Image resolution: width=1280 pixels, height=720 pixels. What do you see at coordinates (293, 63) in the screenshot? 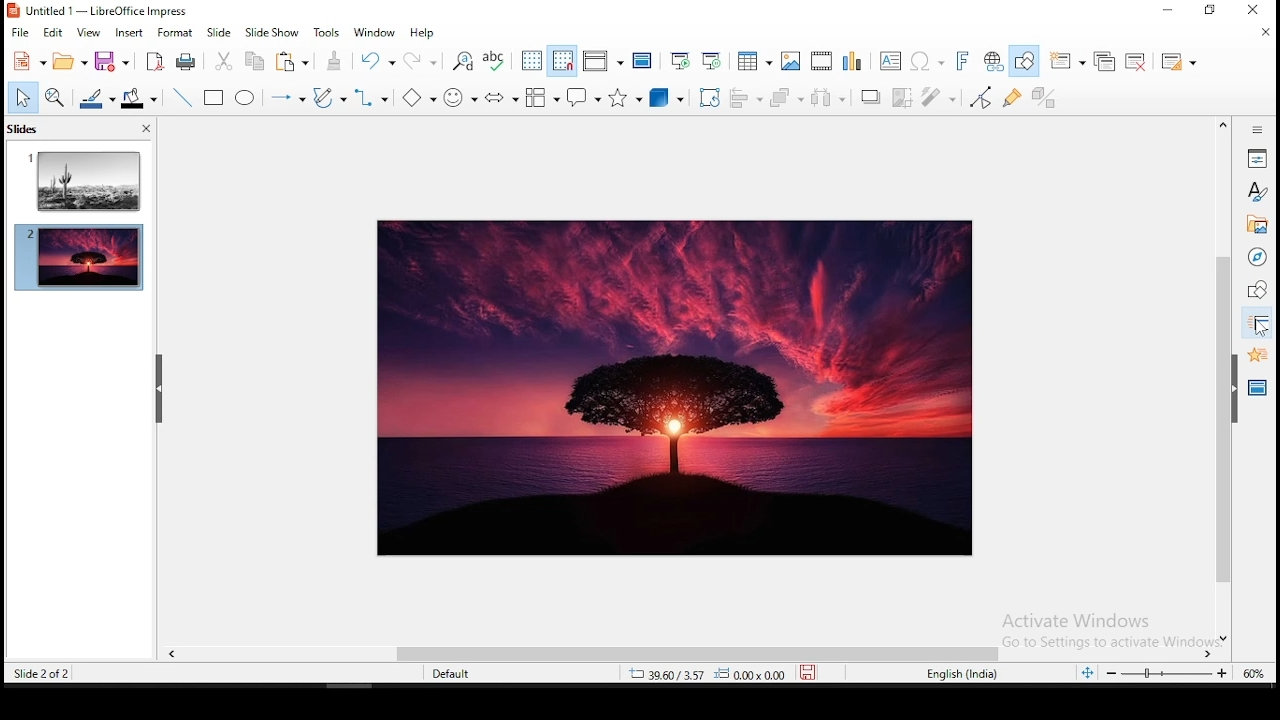
I see `paste` at bounding box center [293, 63].